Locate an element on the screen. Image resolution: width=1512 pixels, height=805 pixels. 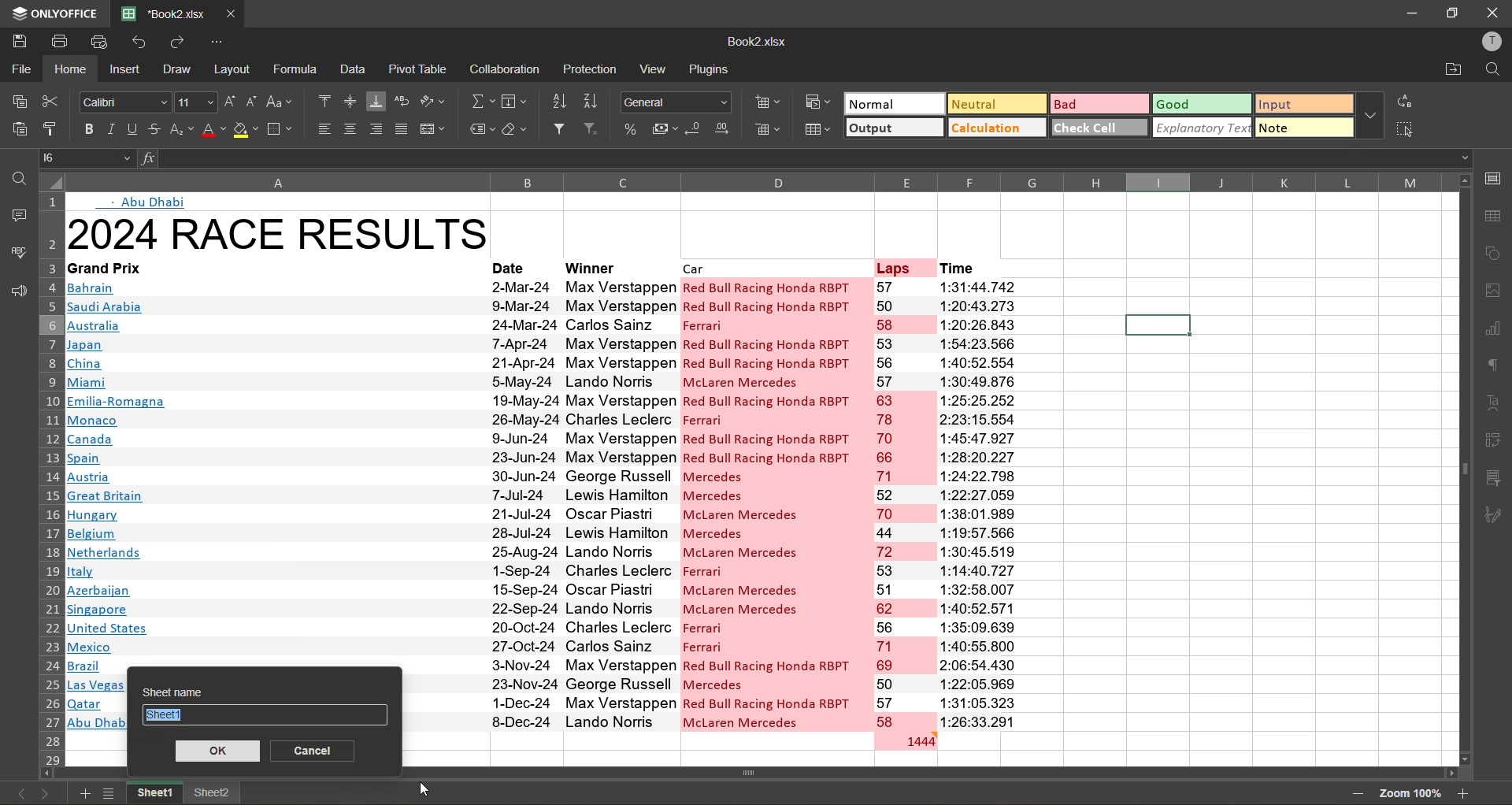
cut is located at coordinates (52, 101).